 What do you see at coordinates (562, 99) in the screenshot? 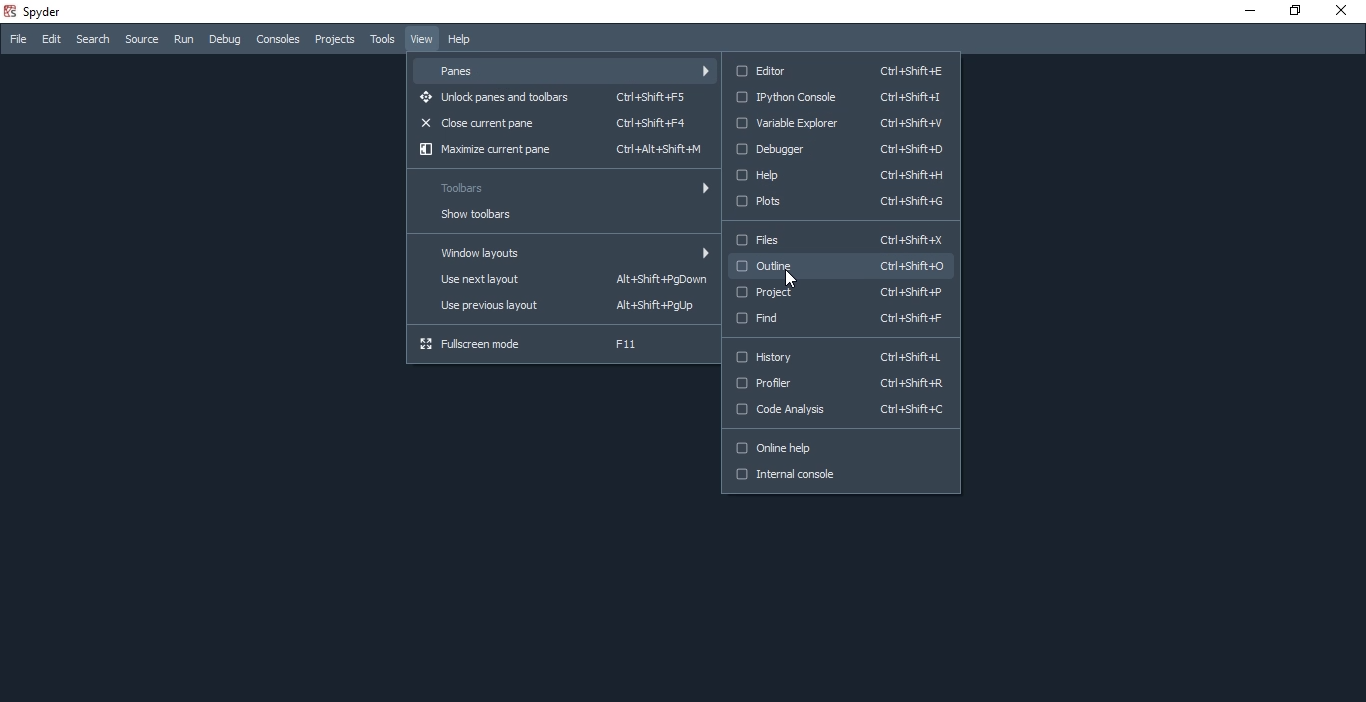
I see `Unlock panes and toolbars` at bounding box center [562, 99].